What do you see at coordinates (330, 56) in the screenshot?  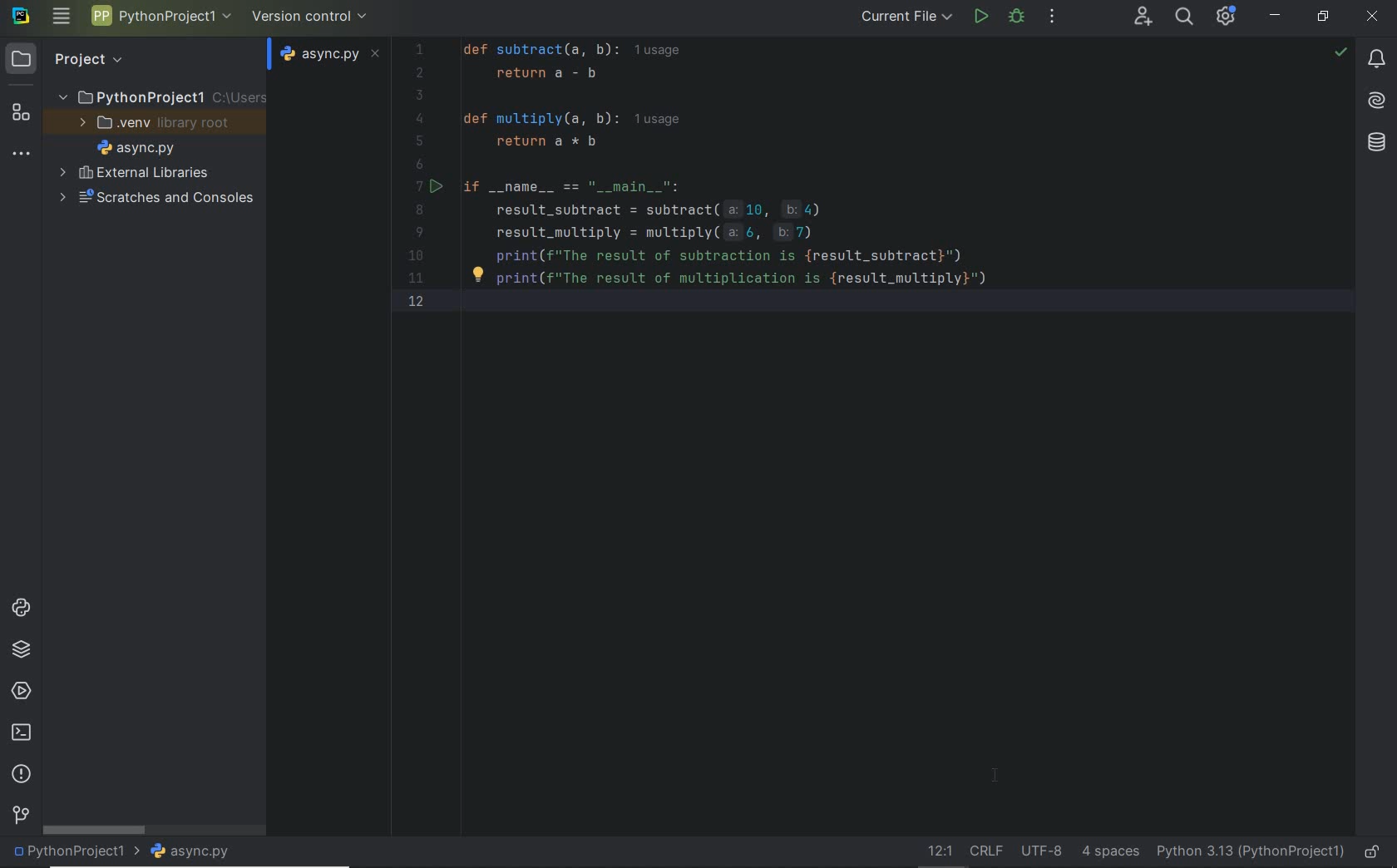 I see `file name` at bounding box center [330, 56].